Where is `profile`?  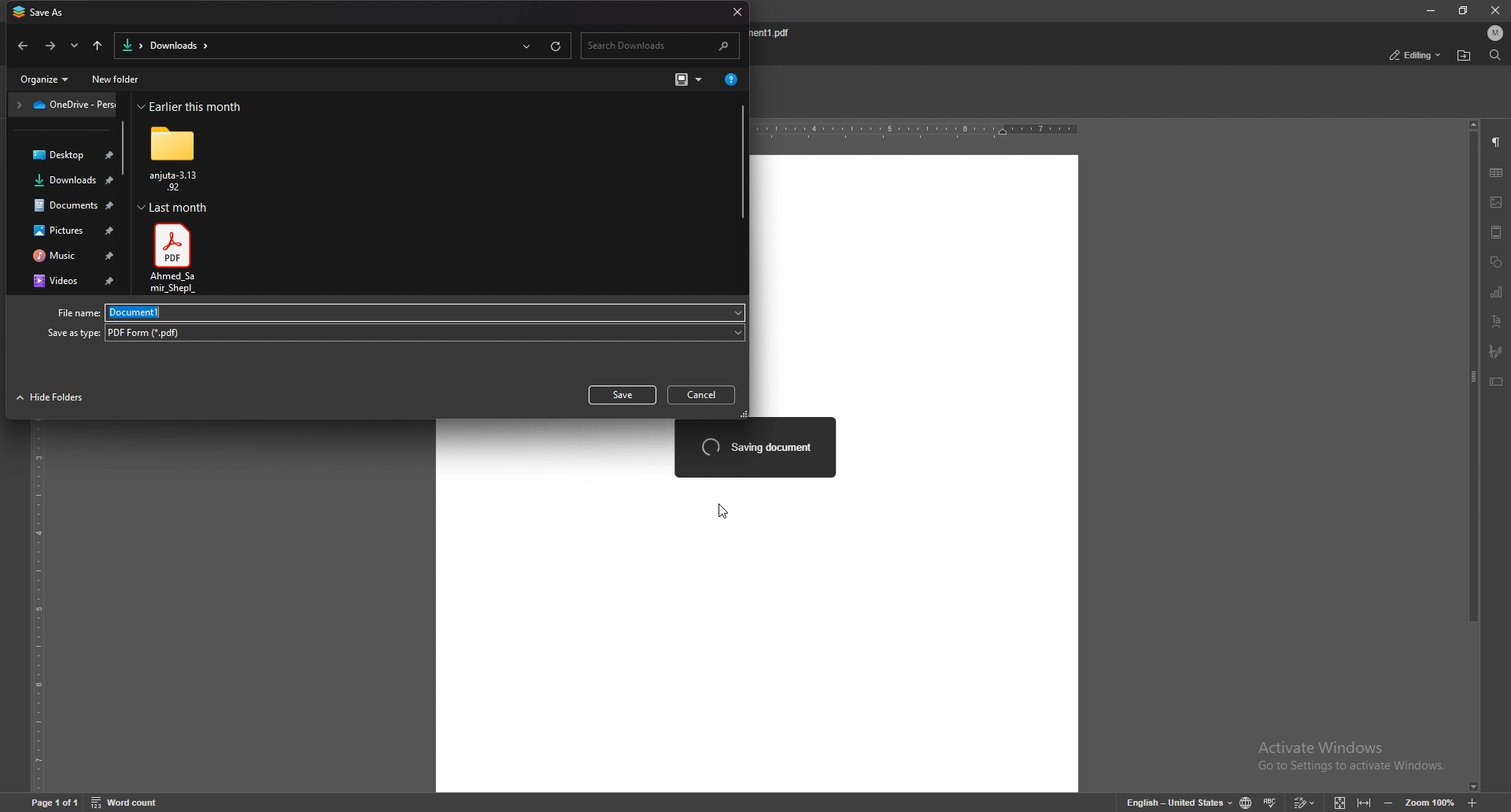 profile is located at coordinates (1493, 33).